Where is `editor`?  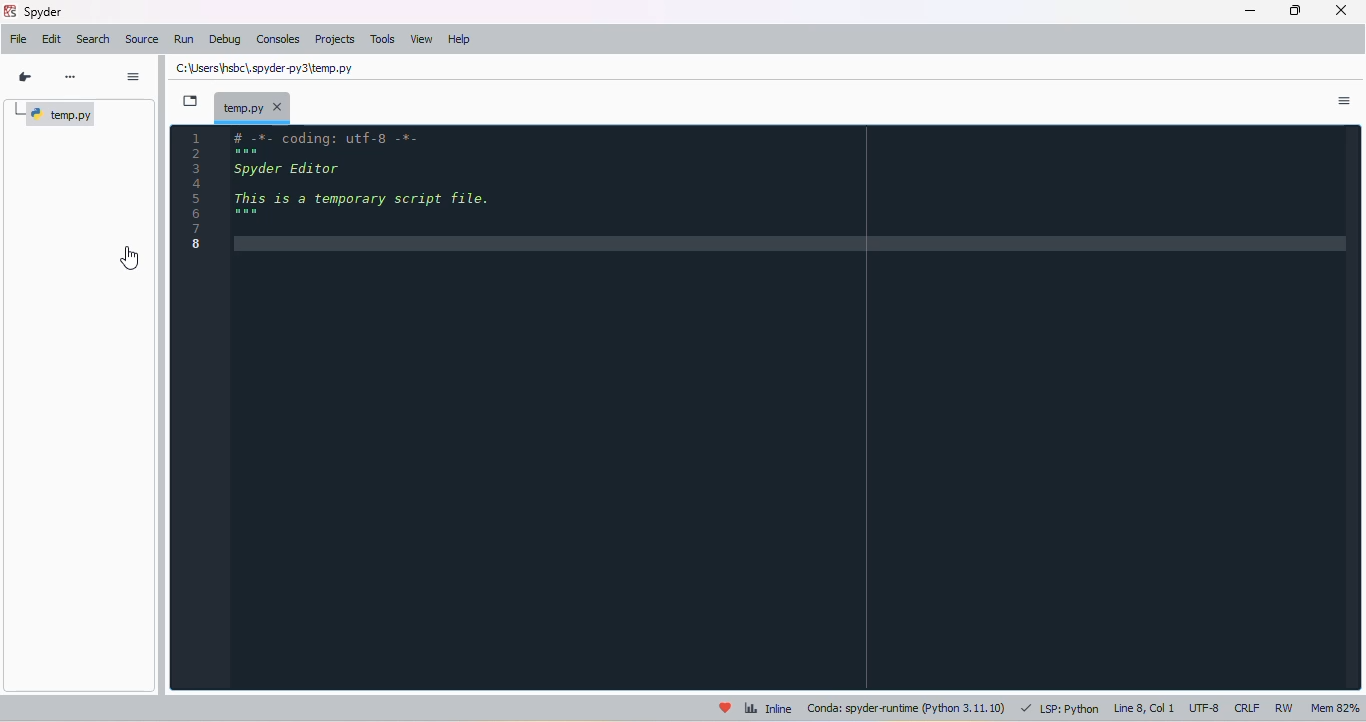
editor is located at coordinates (790, 405).